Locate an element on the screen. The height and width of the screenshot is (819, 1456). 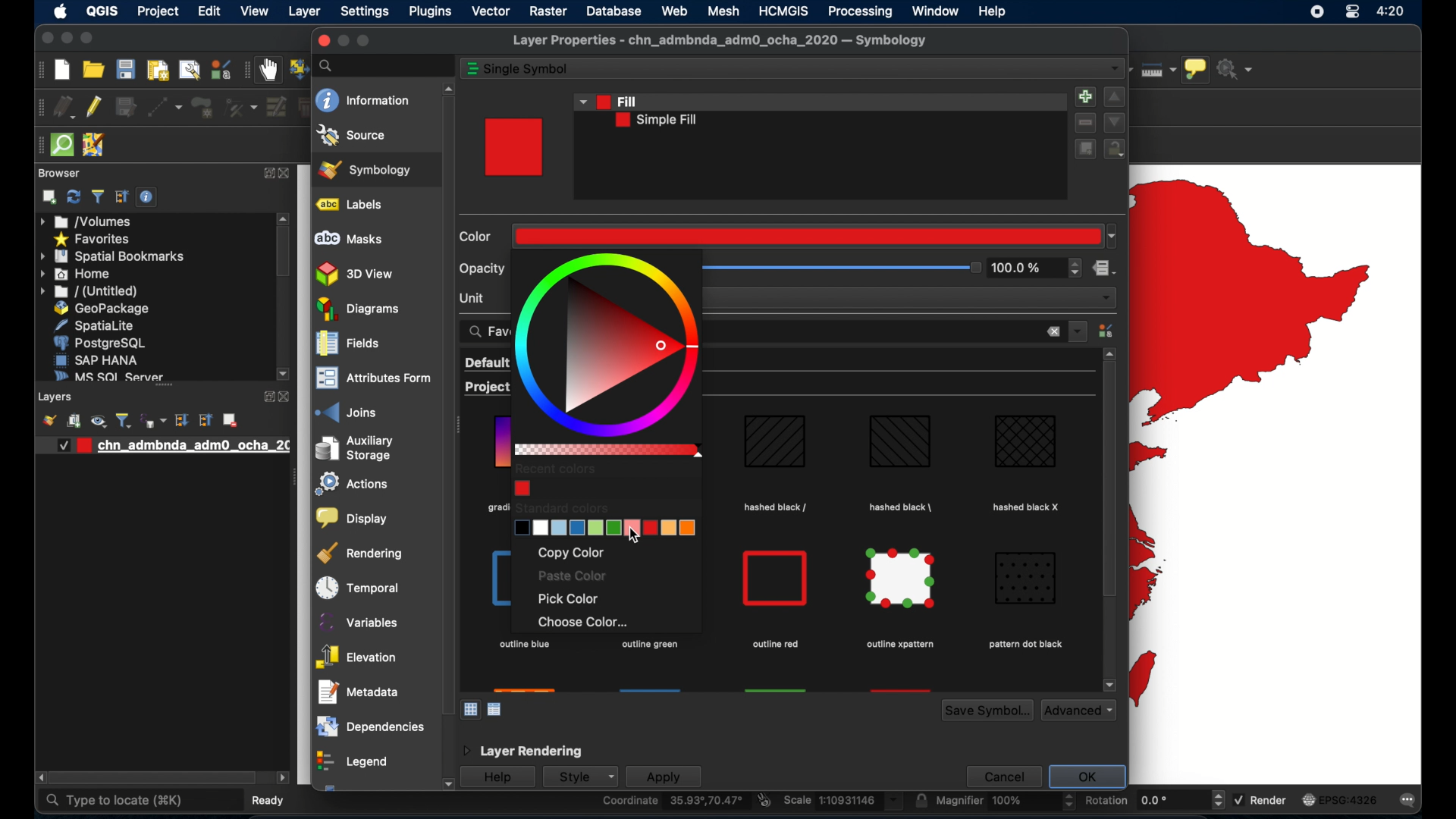
expand is located at coordinates (265, 397).